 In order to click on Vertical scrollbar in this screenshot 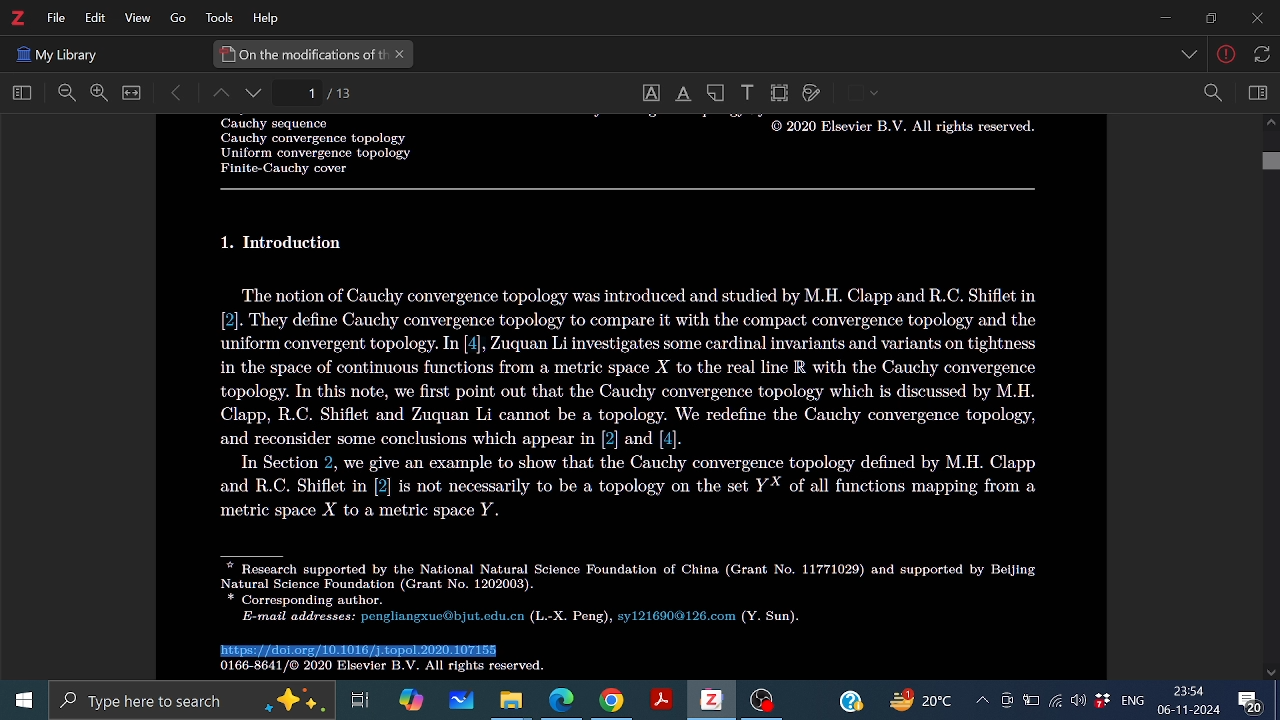, I will do `click(1270, 163)`.